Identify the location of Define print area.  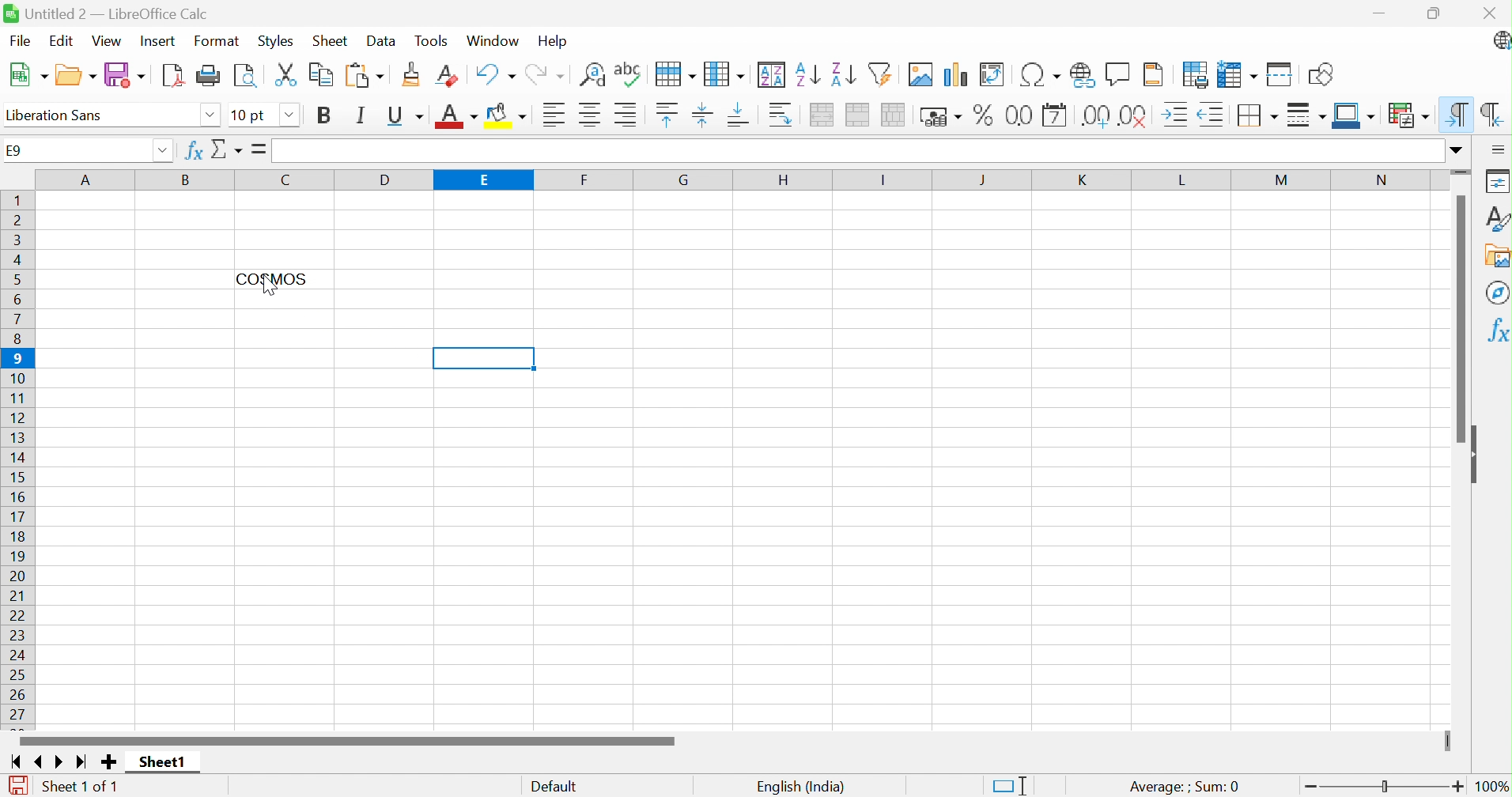
(1196, 75).